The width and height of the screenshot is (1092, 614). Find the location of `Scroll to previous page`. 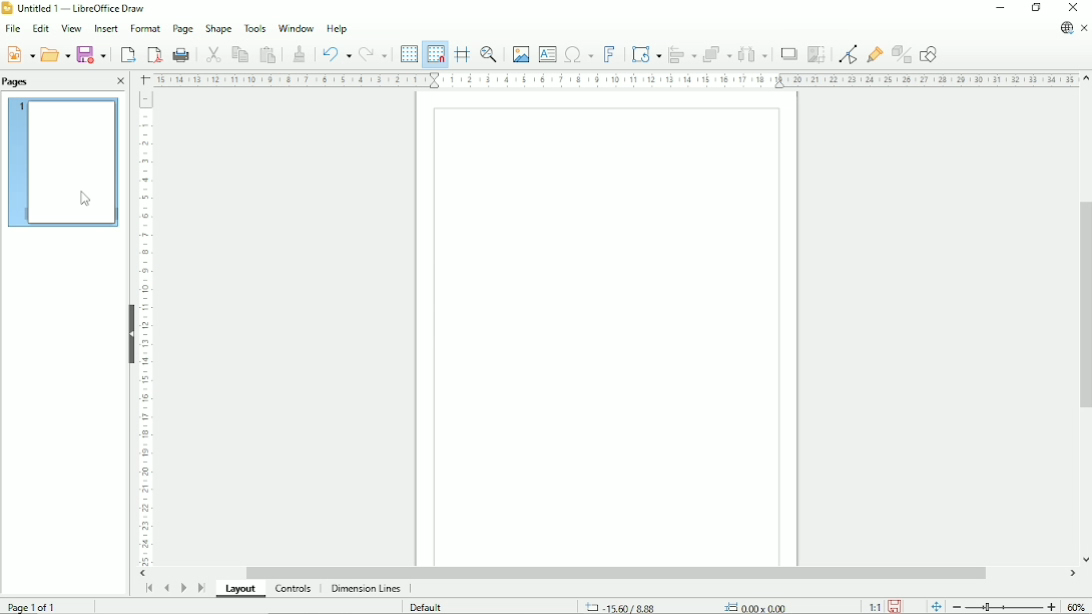

Scroll to previous page is located at coordinates (166, 588).